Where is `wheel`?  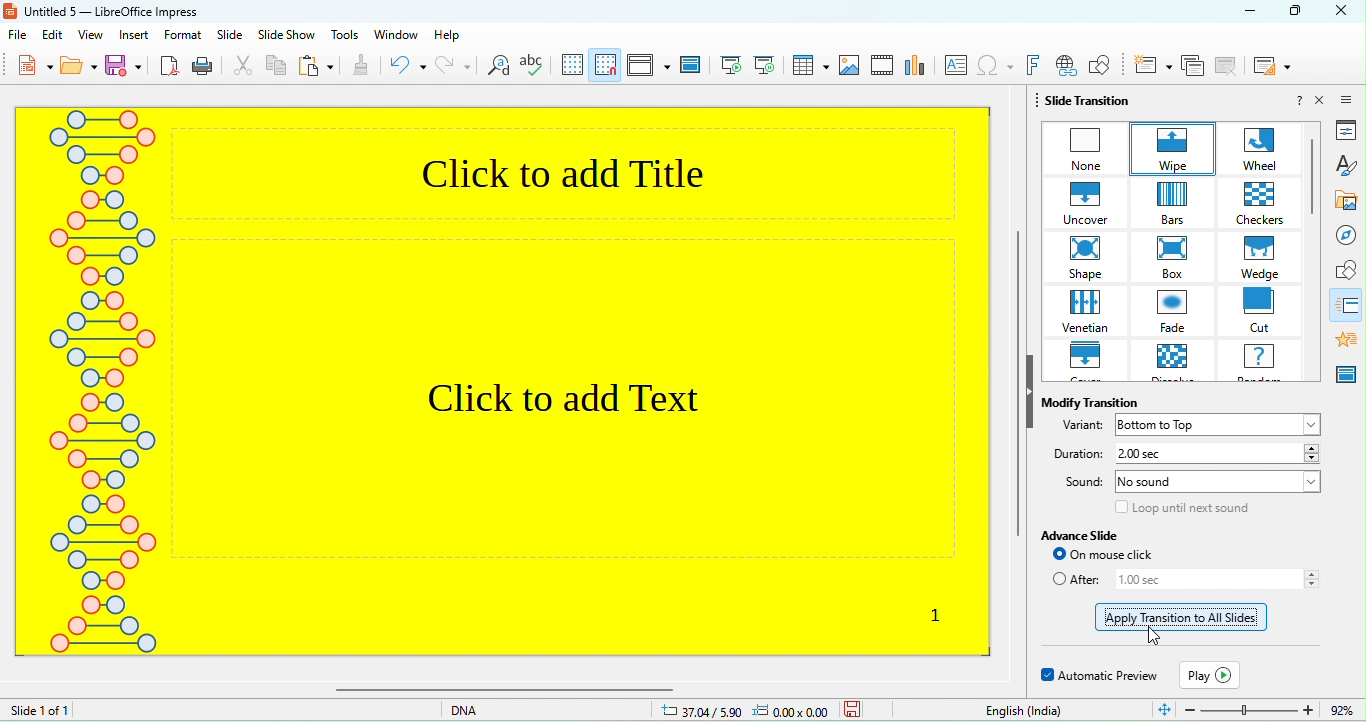
wheel is located at coordinates (1261, 147).